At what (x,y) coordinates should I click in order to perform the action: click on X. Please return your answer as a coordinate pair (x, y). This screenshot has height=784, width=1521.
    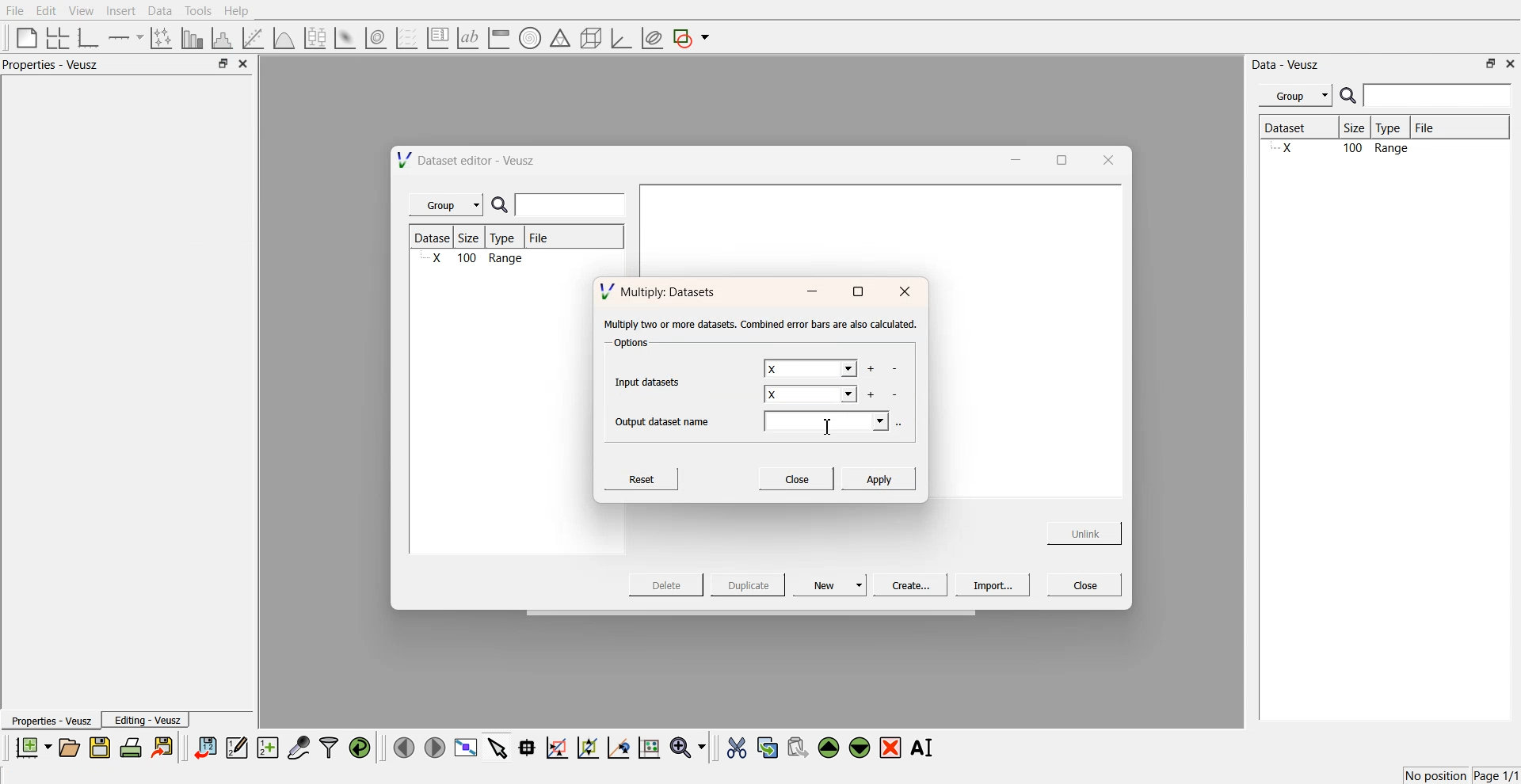
    Looking at the image, I should click on (811, 396).